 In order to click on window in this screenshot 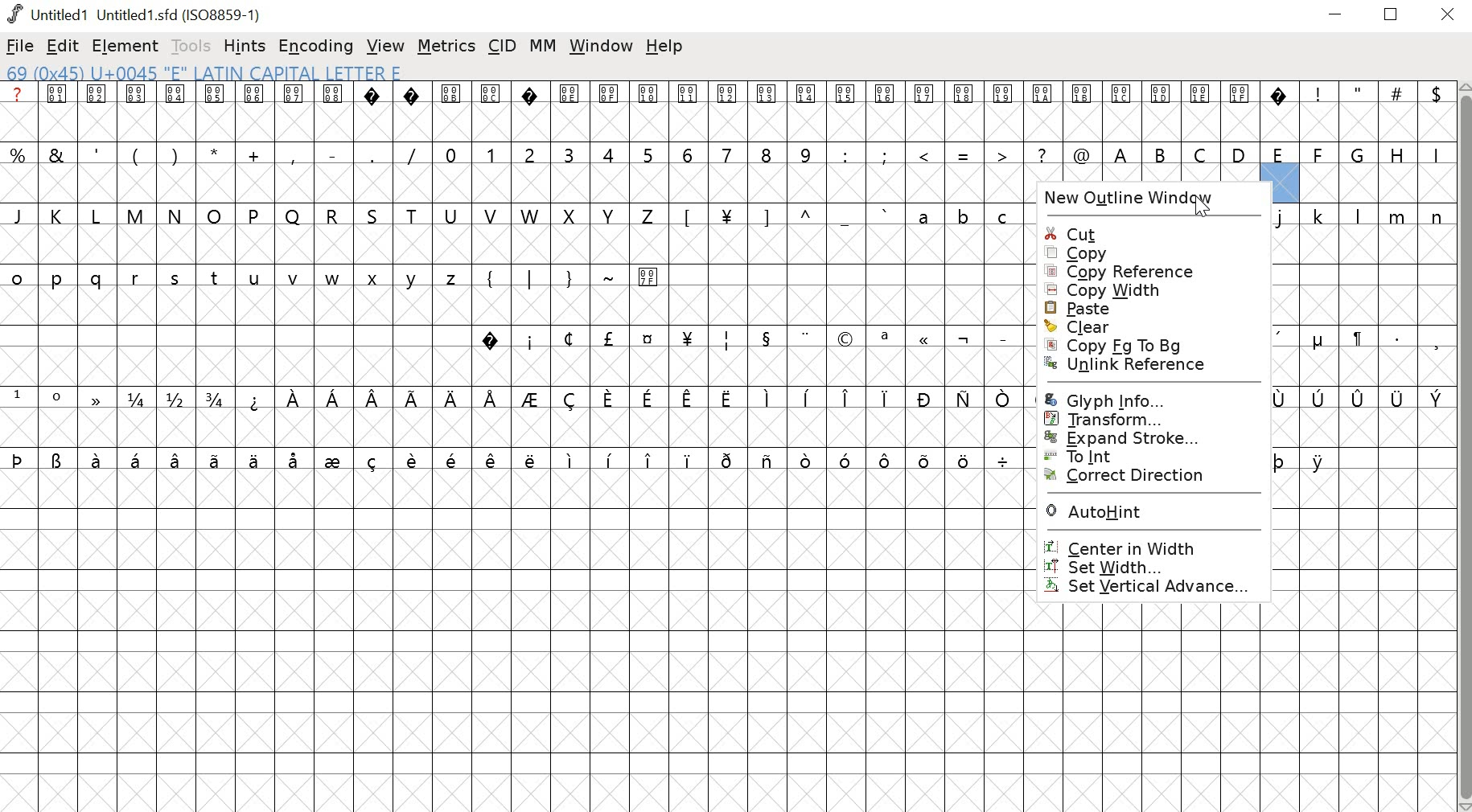, I will do `click(599, 45)`.